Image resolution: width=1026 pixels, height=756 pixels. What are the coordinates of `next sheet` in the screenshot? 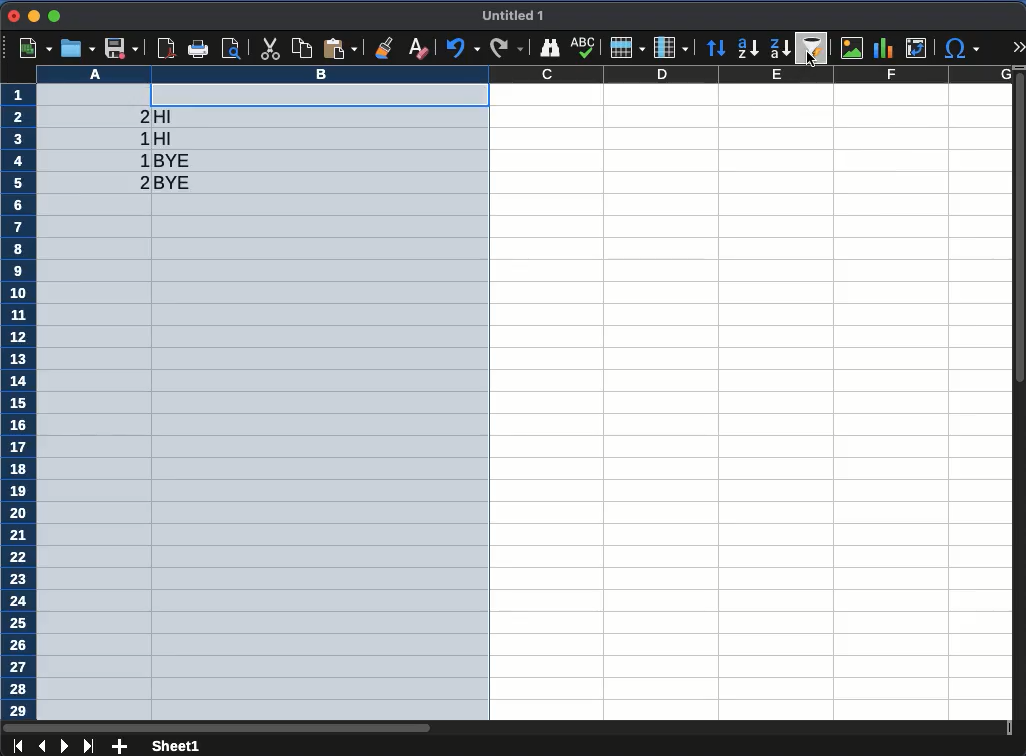 It's located at (67, 746).